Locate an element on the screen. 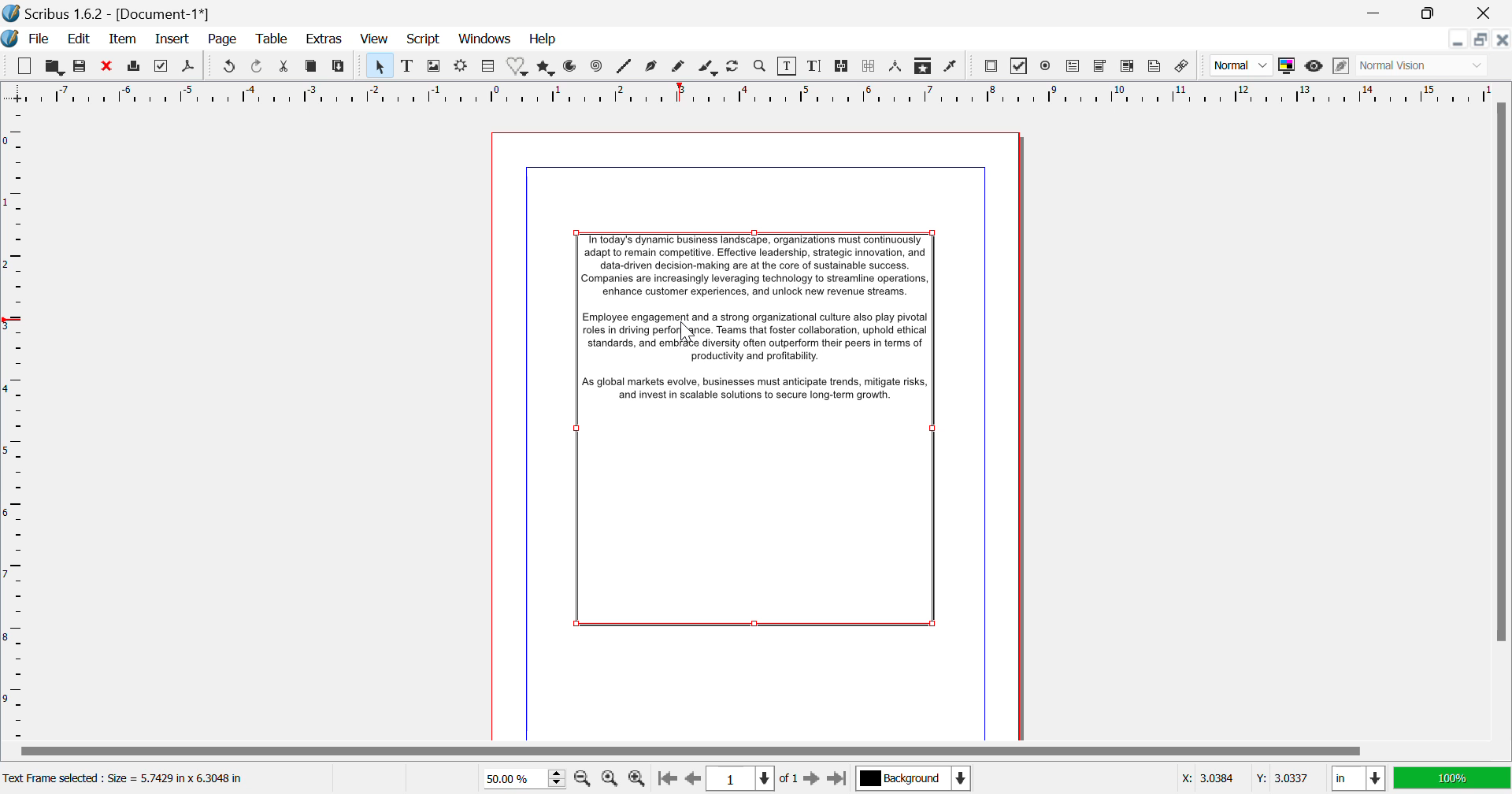 This screenshot has height=794, width=1512. Zoom is located at coordinates (760, 68).